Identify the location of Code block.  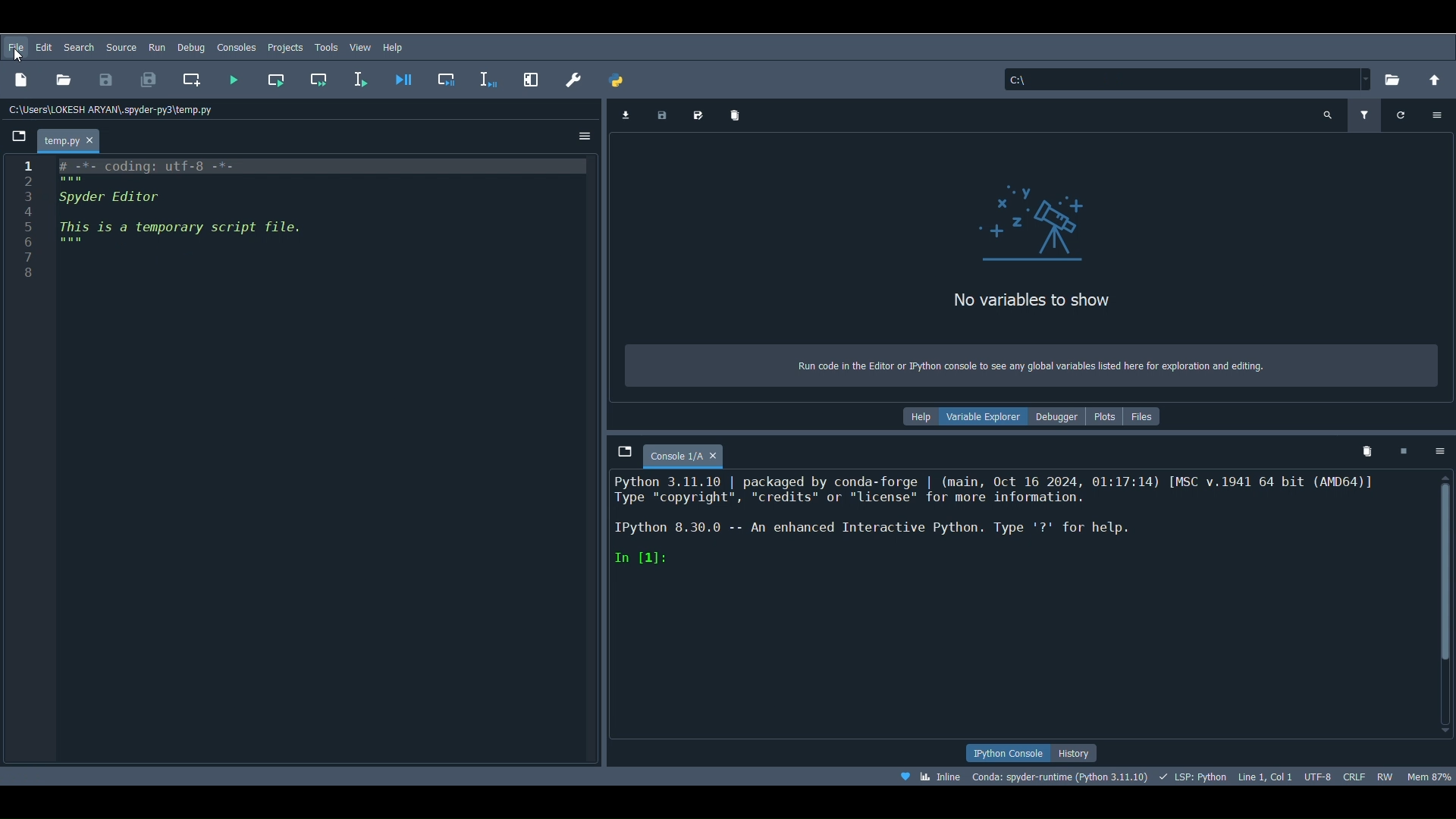
(300, 460).